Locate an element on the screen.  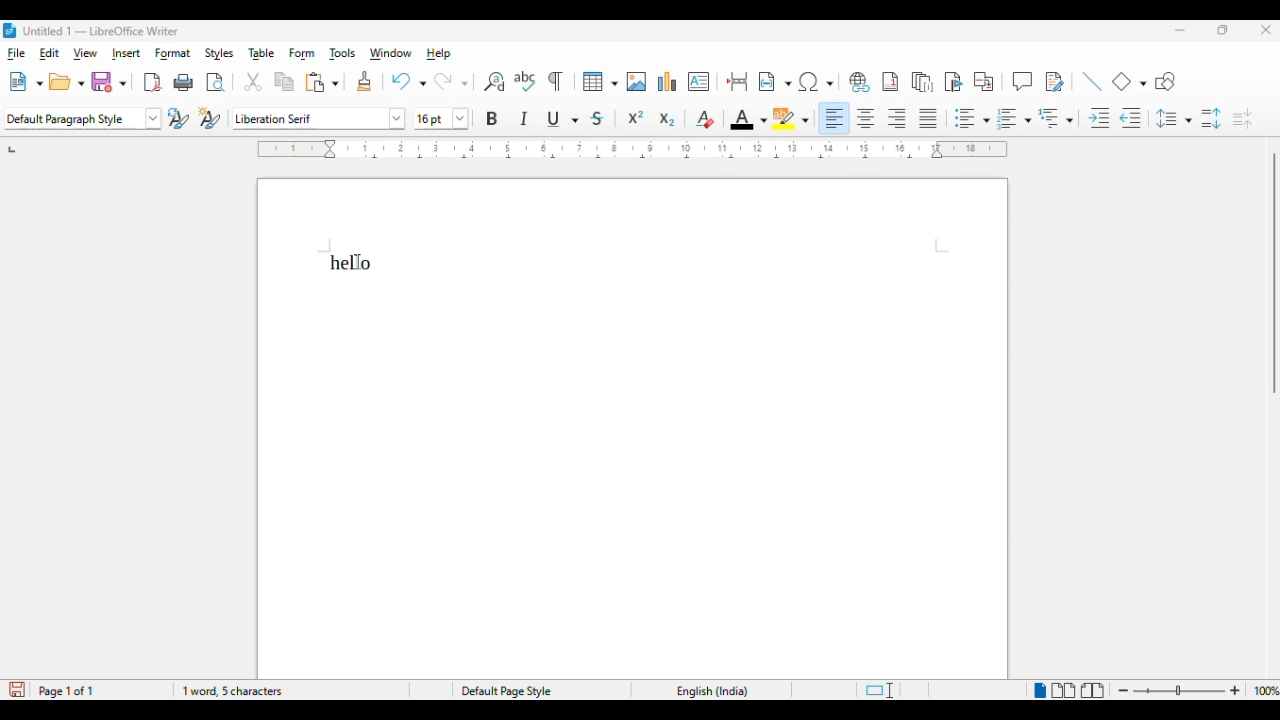
zoom out is located at coordinates (1126, 691).